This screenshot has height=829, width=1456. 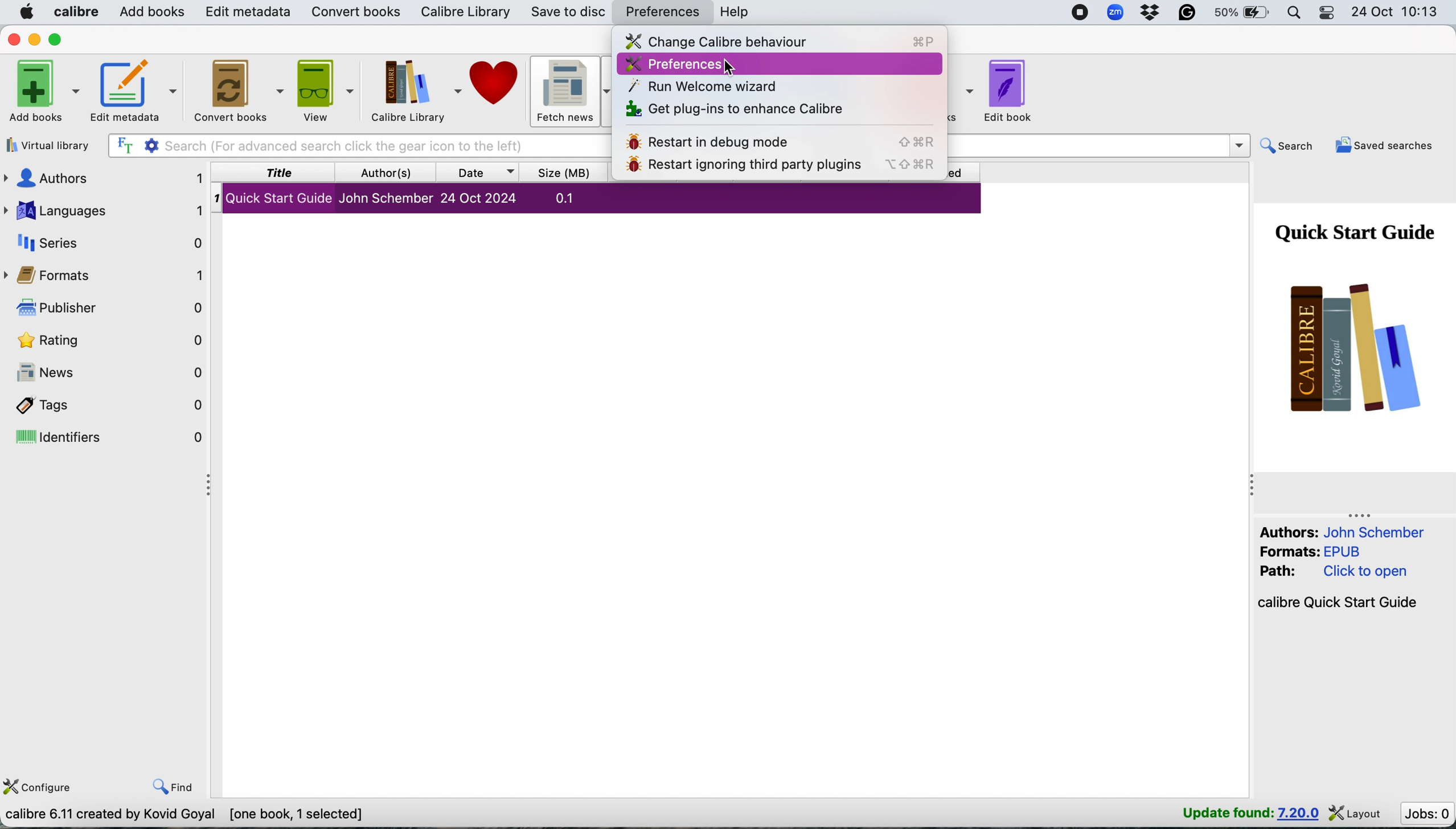 What do you see at coordinates (110, 276) in the screenshot?
I see `formats` at bounding box center [110, 276].